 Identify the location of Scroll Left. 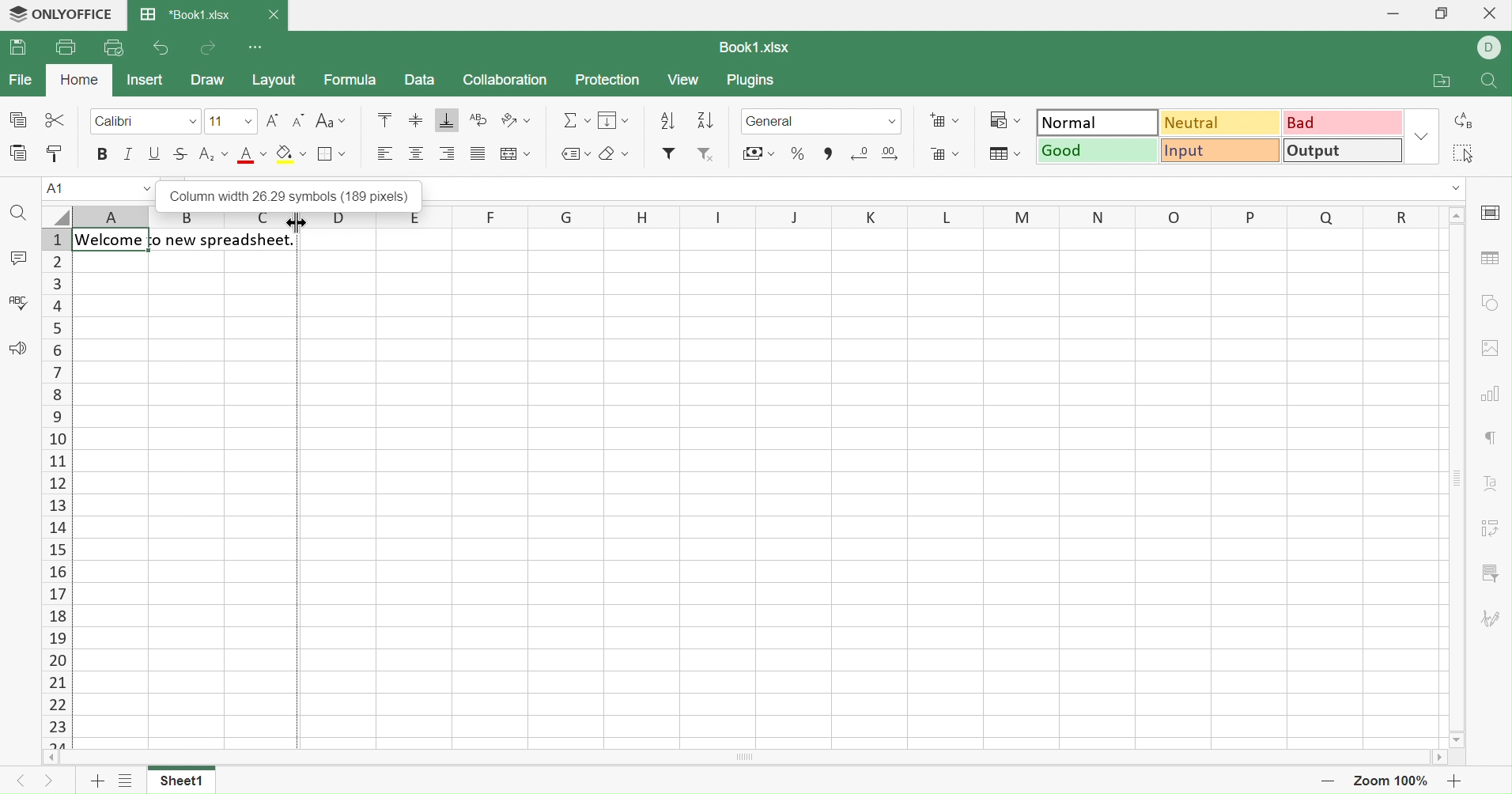
(50, 758).